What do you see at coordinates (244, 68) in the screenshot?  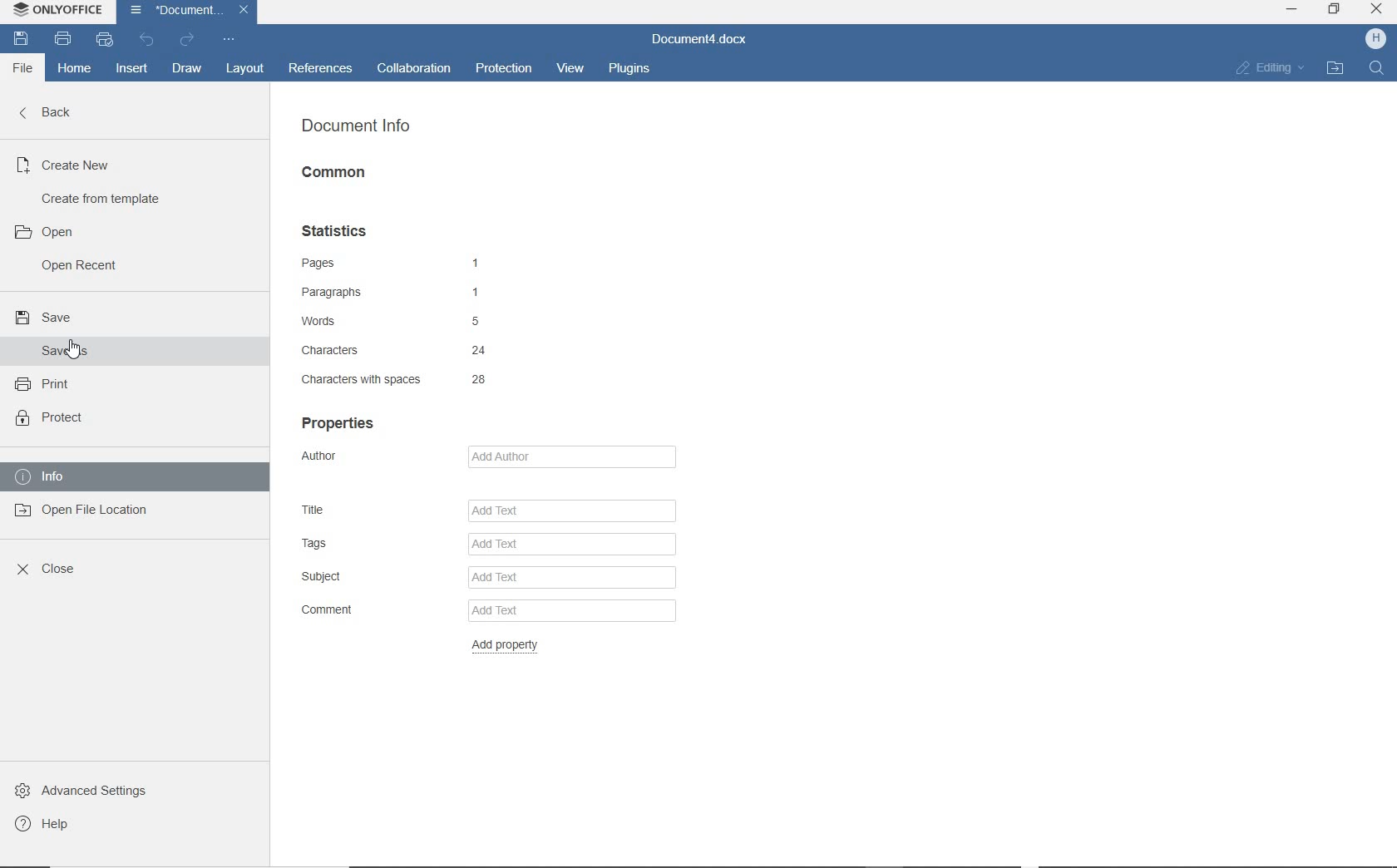 I see `layout` at bounding box center [244, 68].